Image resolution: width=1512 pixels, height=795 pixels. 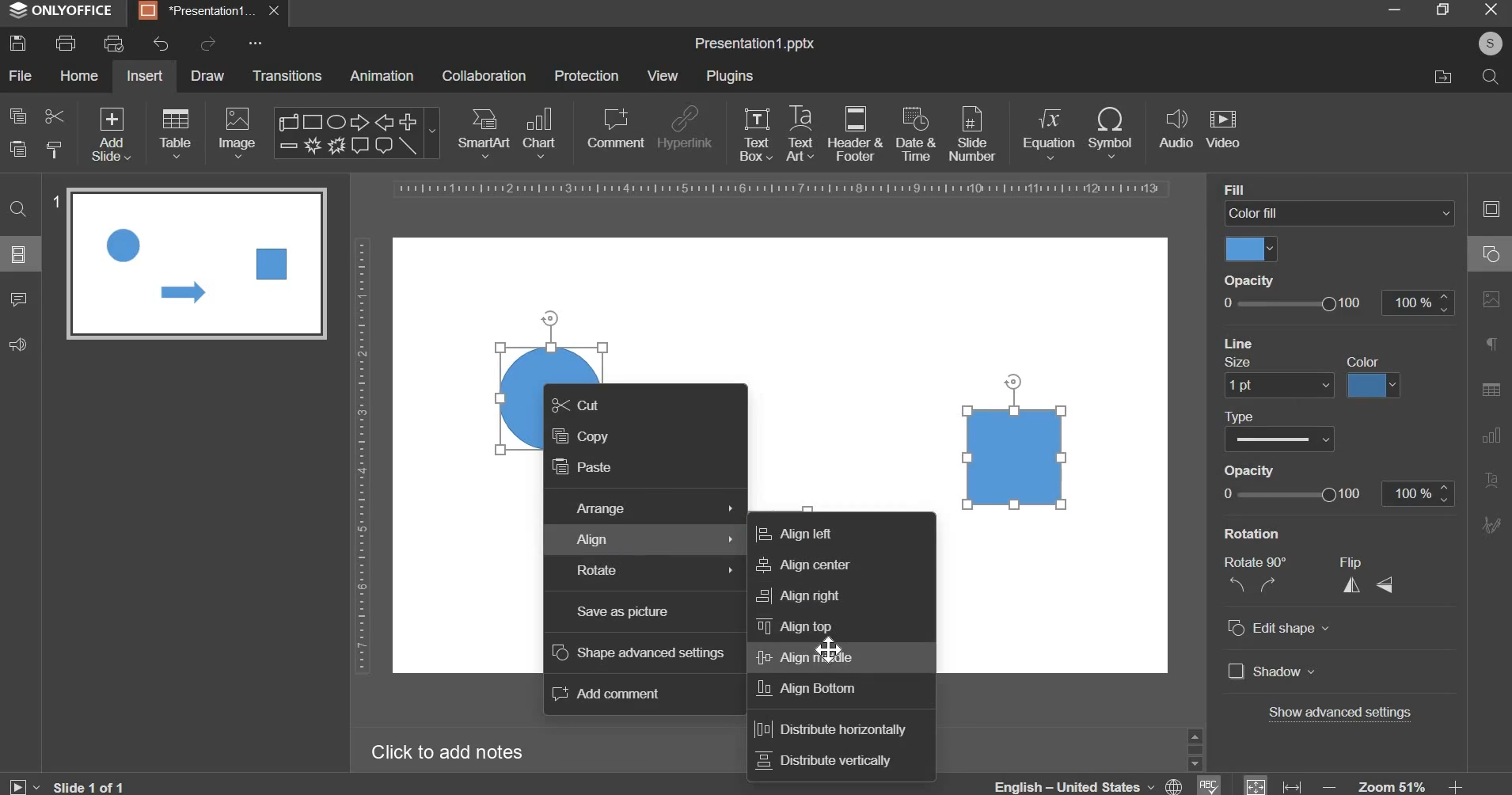 What do you see at coordinates (578, 407) in the screenshot?
I see `cut` at bounding box center [578, 407].